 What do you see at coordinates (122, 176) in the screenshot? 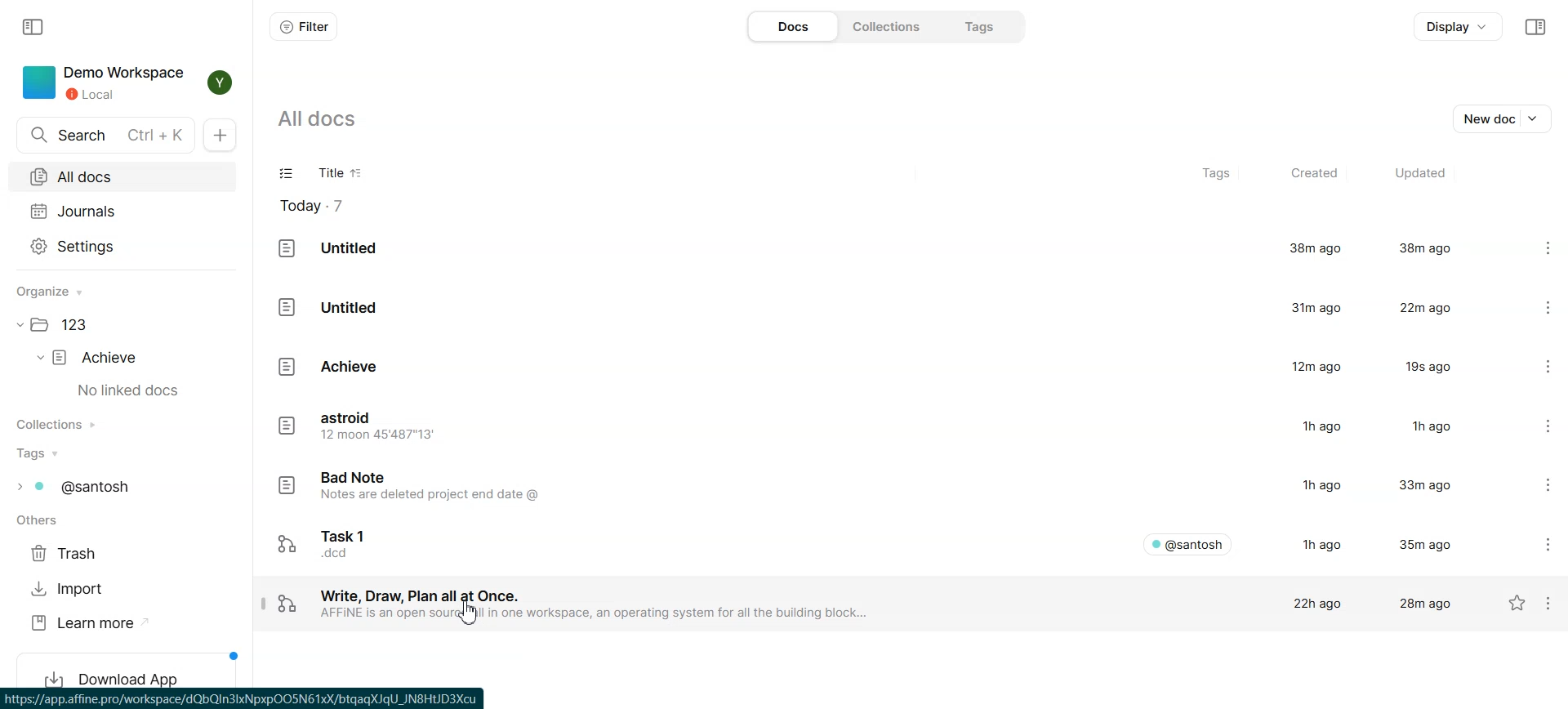
I see `All docs` at bounding box center [122, 176].